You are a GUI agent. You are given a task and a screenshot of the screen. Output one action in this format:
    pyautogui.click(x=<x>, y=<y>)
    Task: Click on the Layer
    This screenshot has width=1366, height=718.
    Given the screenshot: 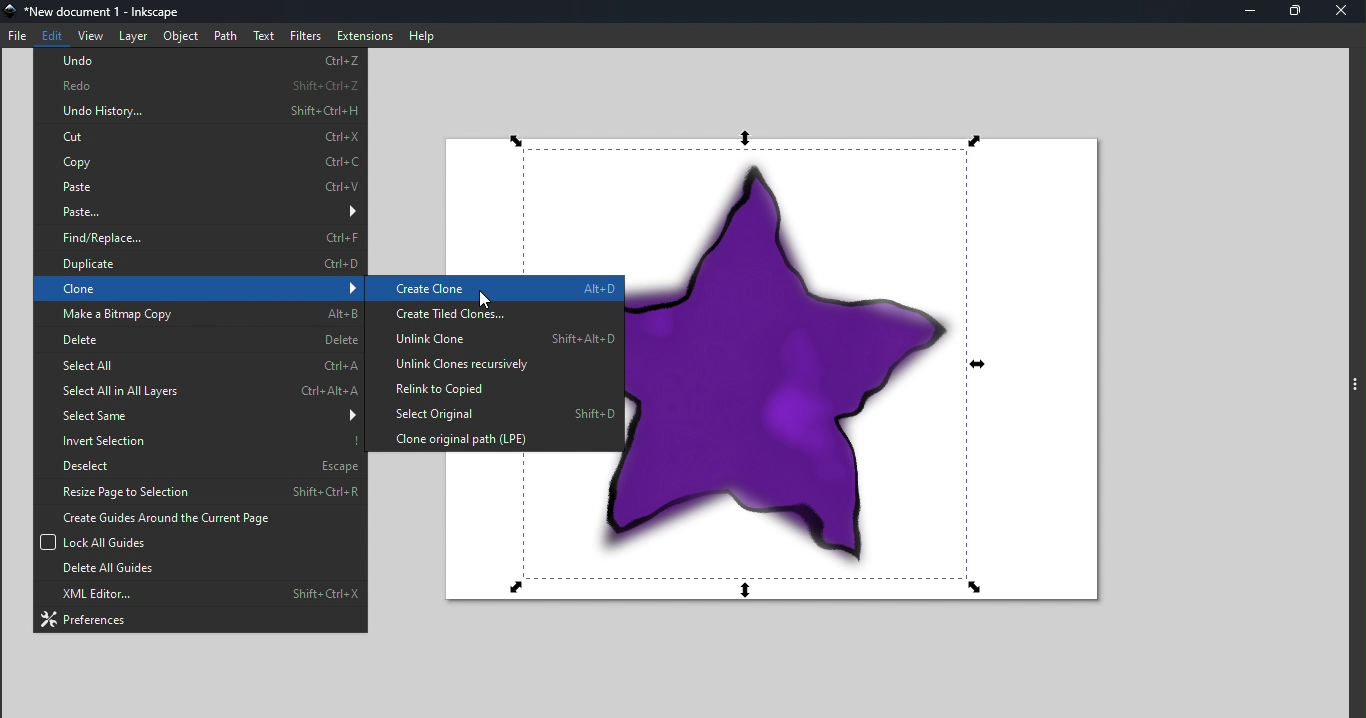 What is the action you would take?
    pyautogui.click(x=130, y=36)
    